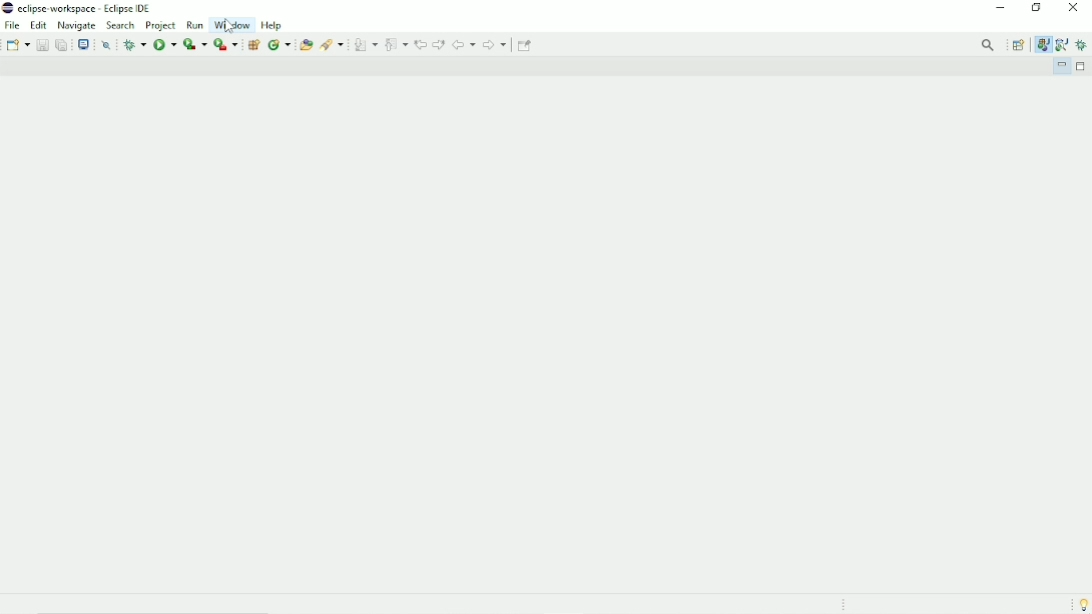 Image resolution: width=1092 pixels, height=614 pixels. I want to click on Access commands and other items, so click(989, 44).